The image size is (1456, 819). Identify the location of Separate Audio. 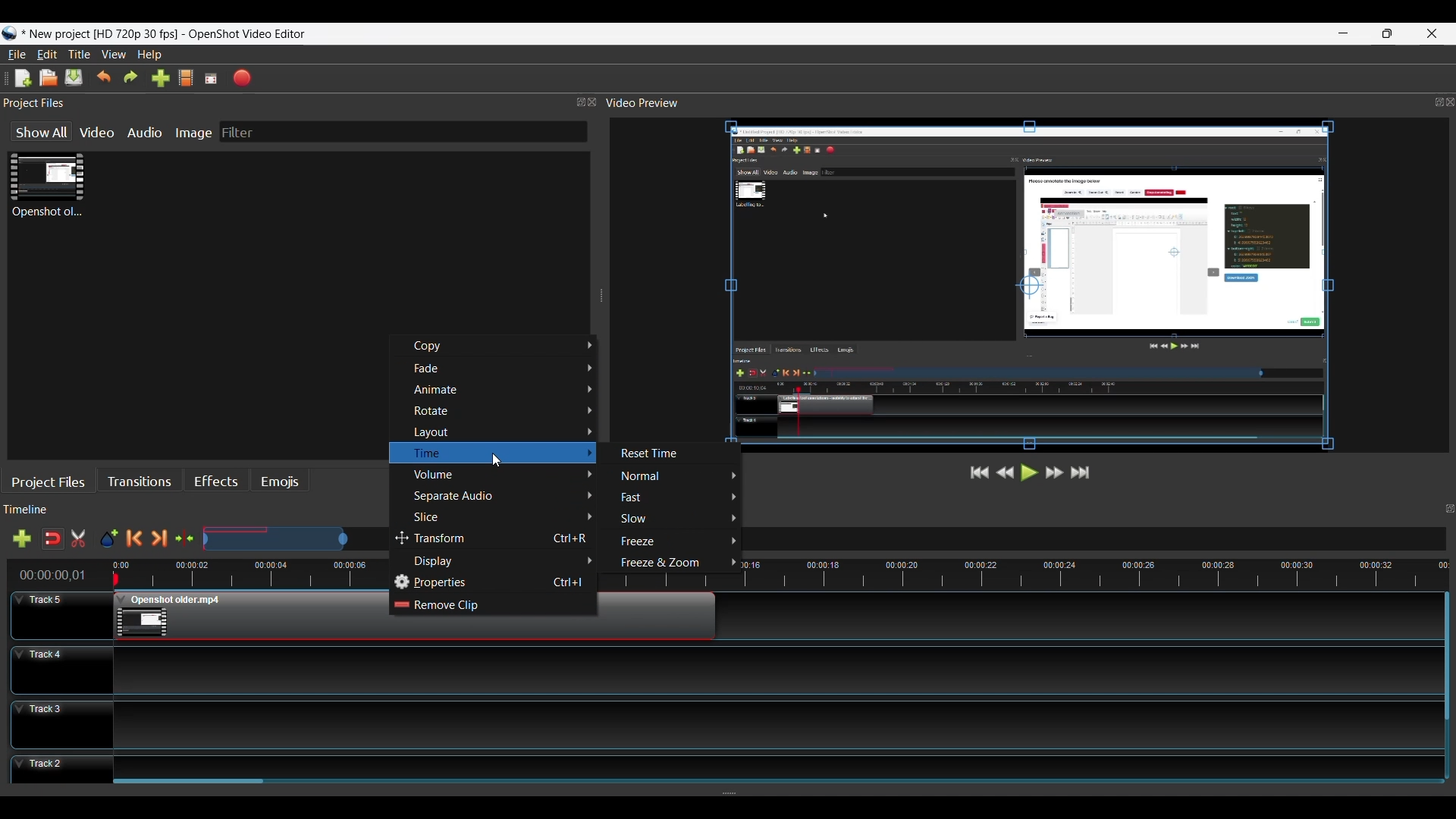
(502, 498).